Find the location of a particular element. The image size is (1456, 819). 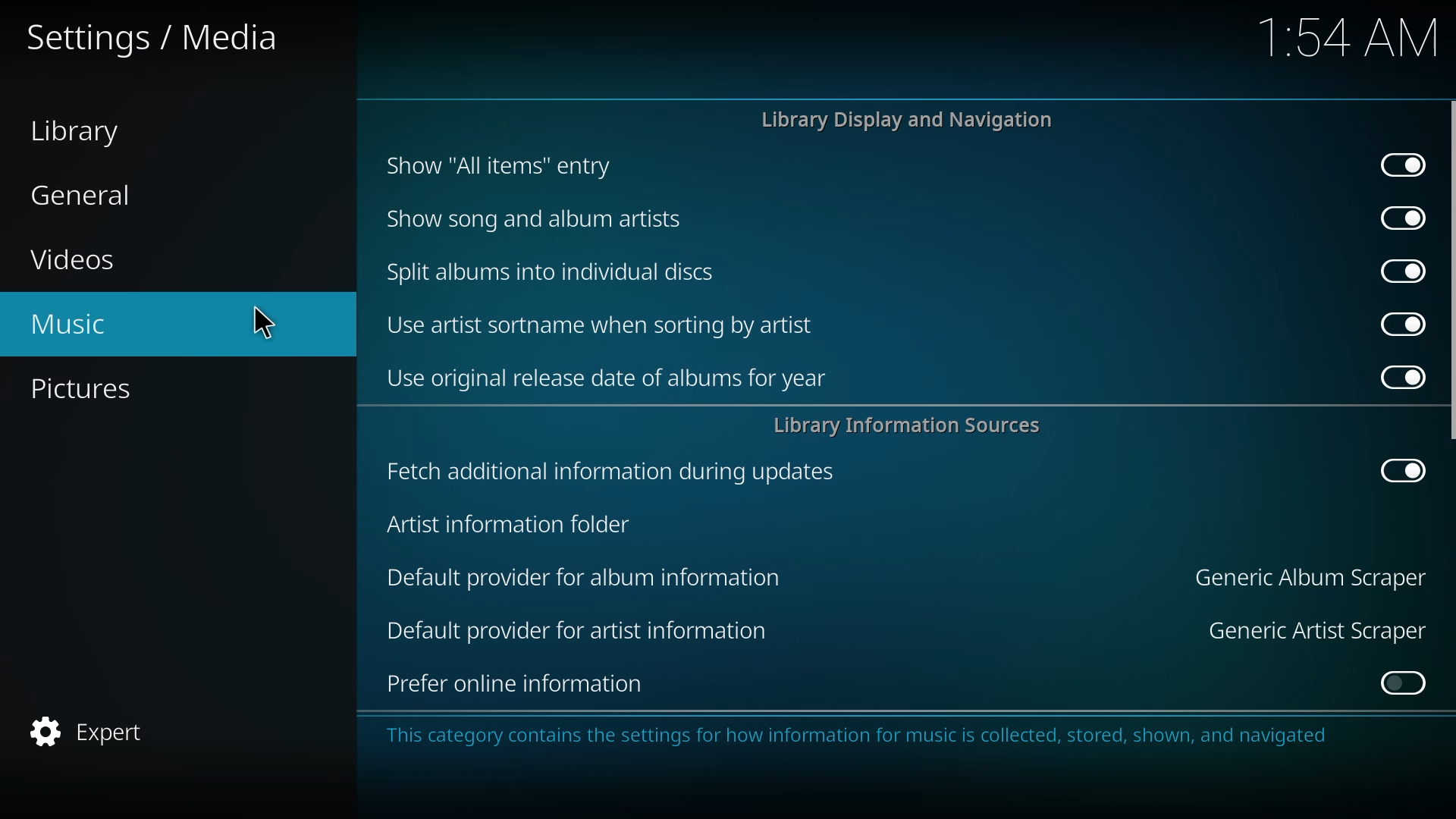

enabled is located at coordinates (1397, 162).